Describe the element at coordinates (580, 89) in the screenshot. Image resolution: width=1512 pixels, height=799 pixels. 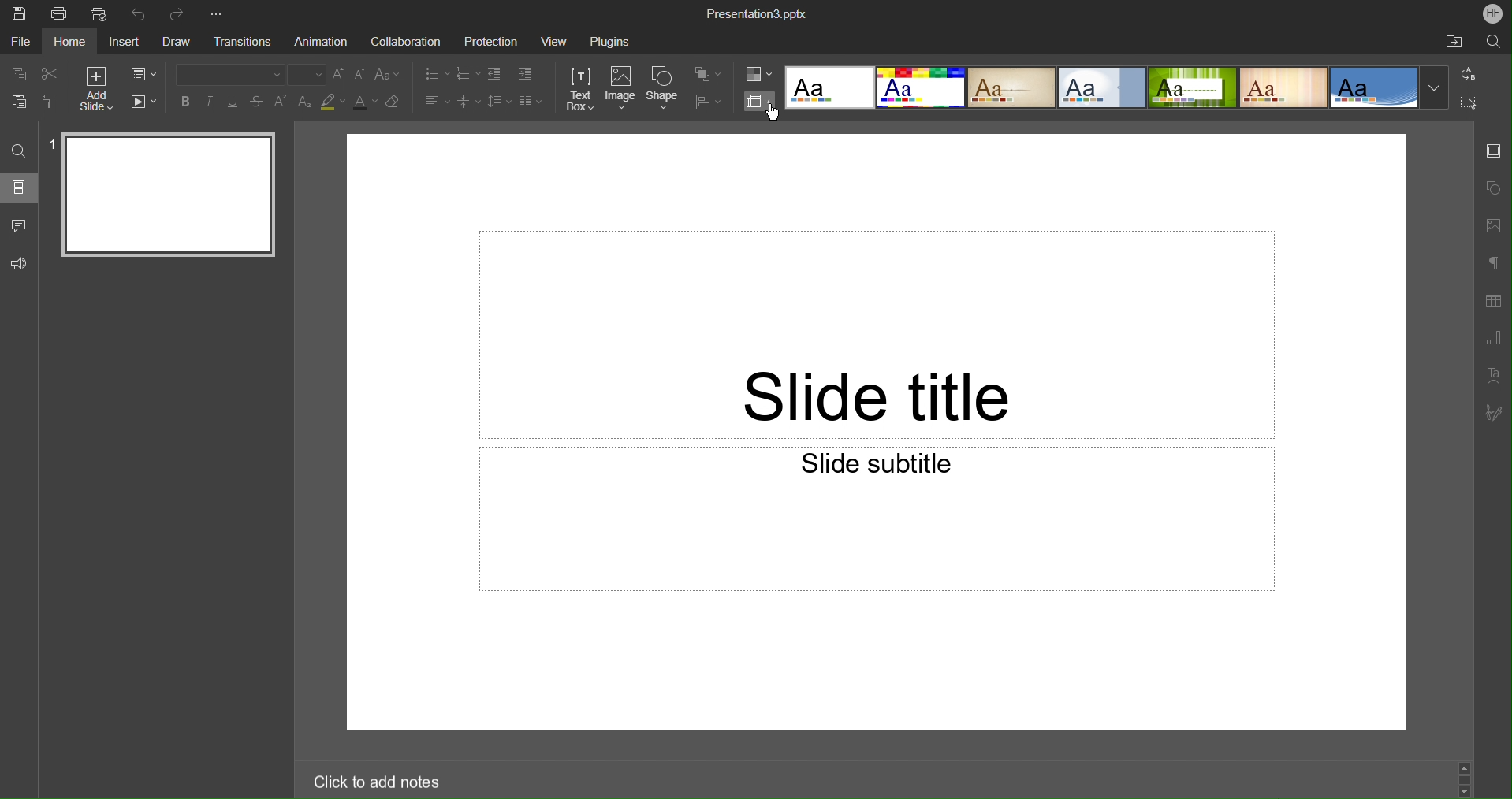
I see `Text Box` at that location.